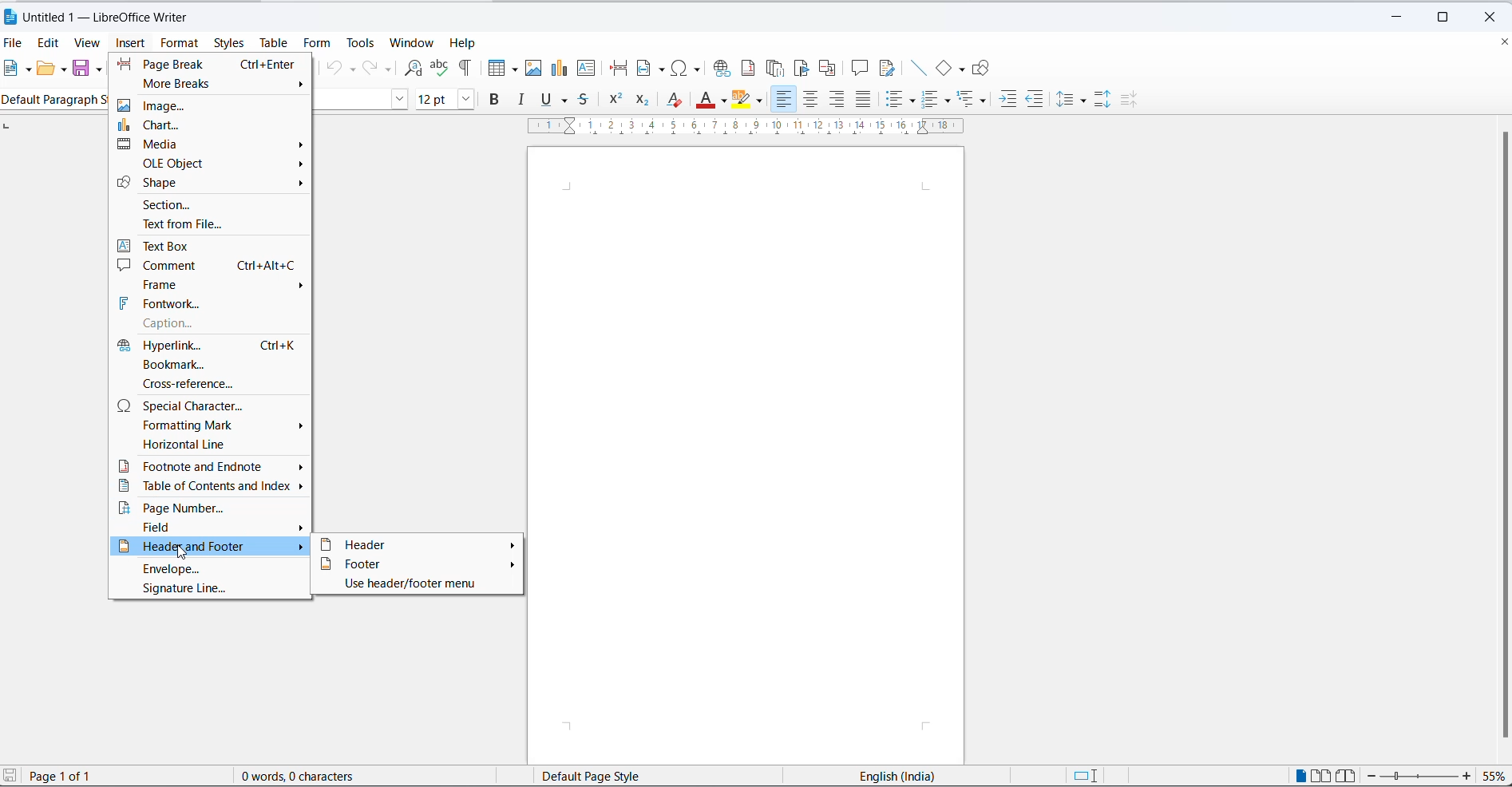  Describe the element at coordinates (133, 44) in the screenshot. I see `insert` at that location.